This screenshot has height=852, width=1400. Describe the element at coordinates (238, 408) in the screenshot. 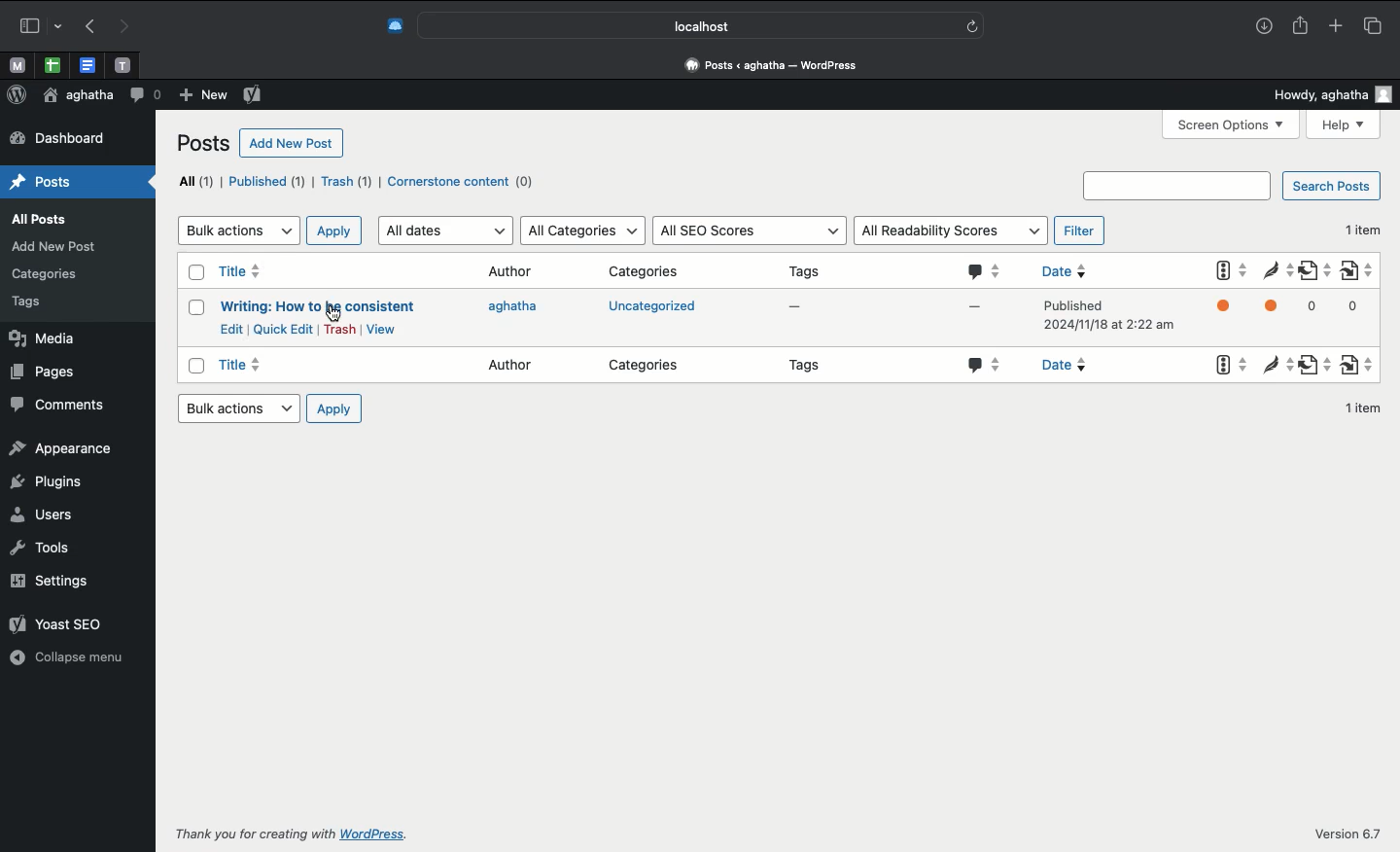

I see `Bulk actions` at that location.